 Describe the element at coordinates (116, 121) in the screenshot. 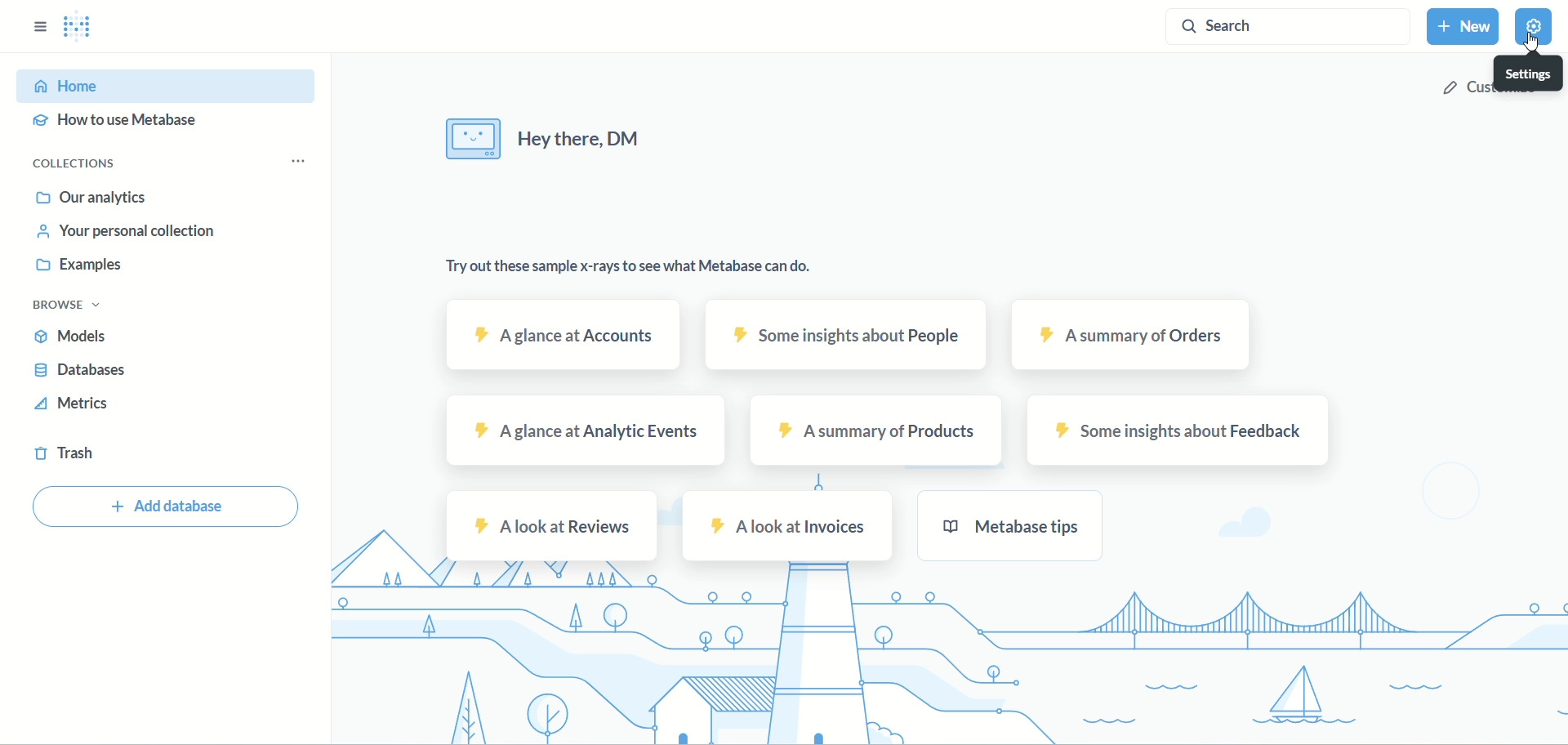

I see `how to use metabase` at that location.